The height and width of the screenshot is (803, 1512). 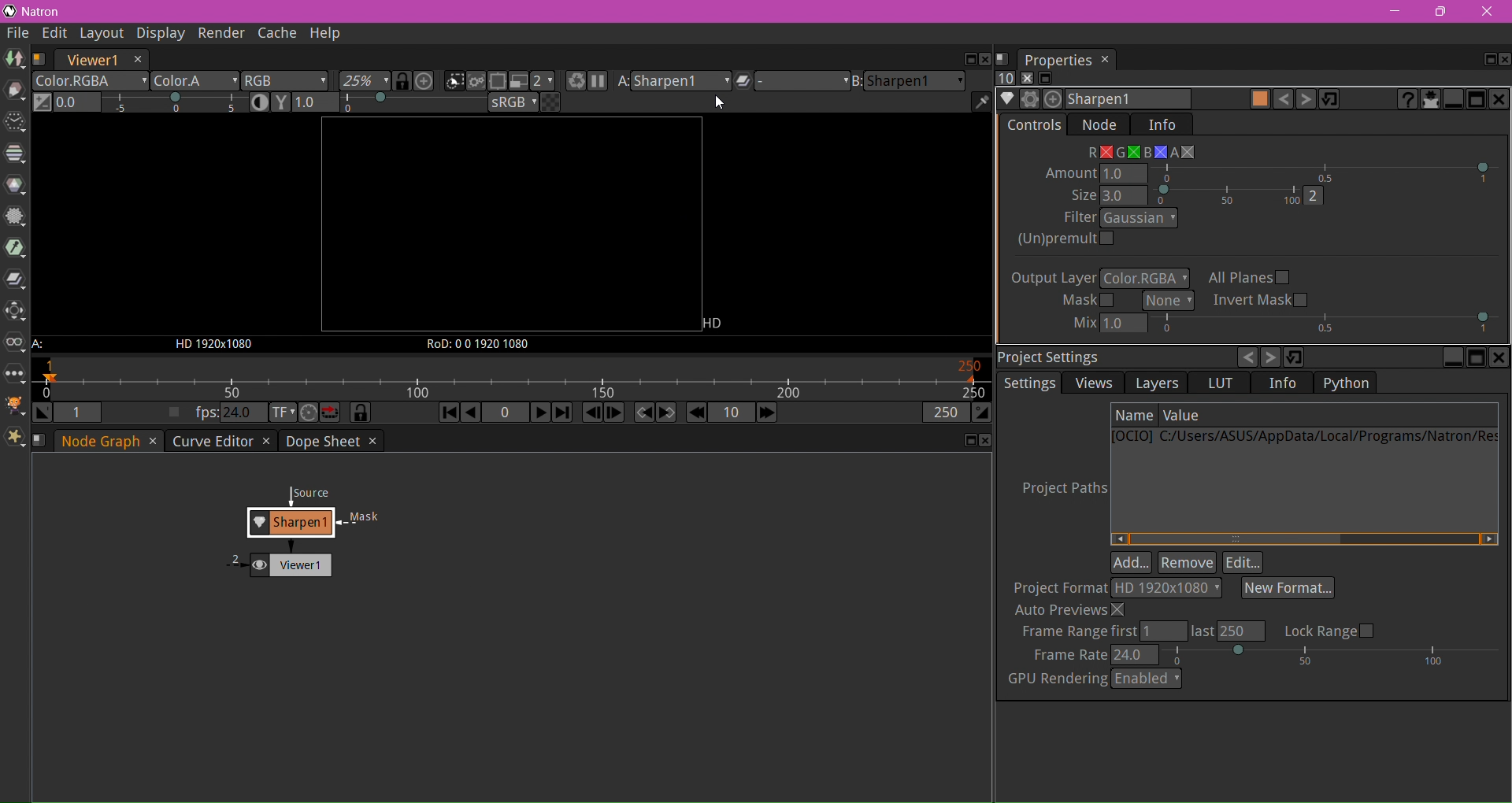 I want to click on Maximize pane, so click(x=1477, y=99).